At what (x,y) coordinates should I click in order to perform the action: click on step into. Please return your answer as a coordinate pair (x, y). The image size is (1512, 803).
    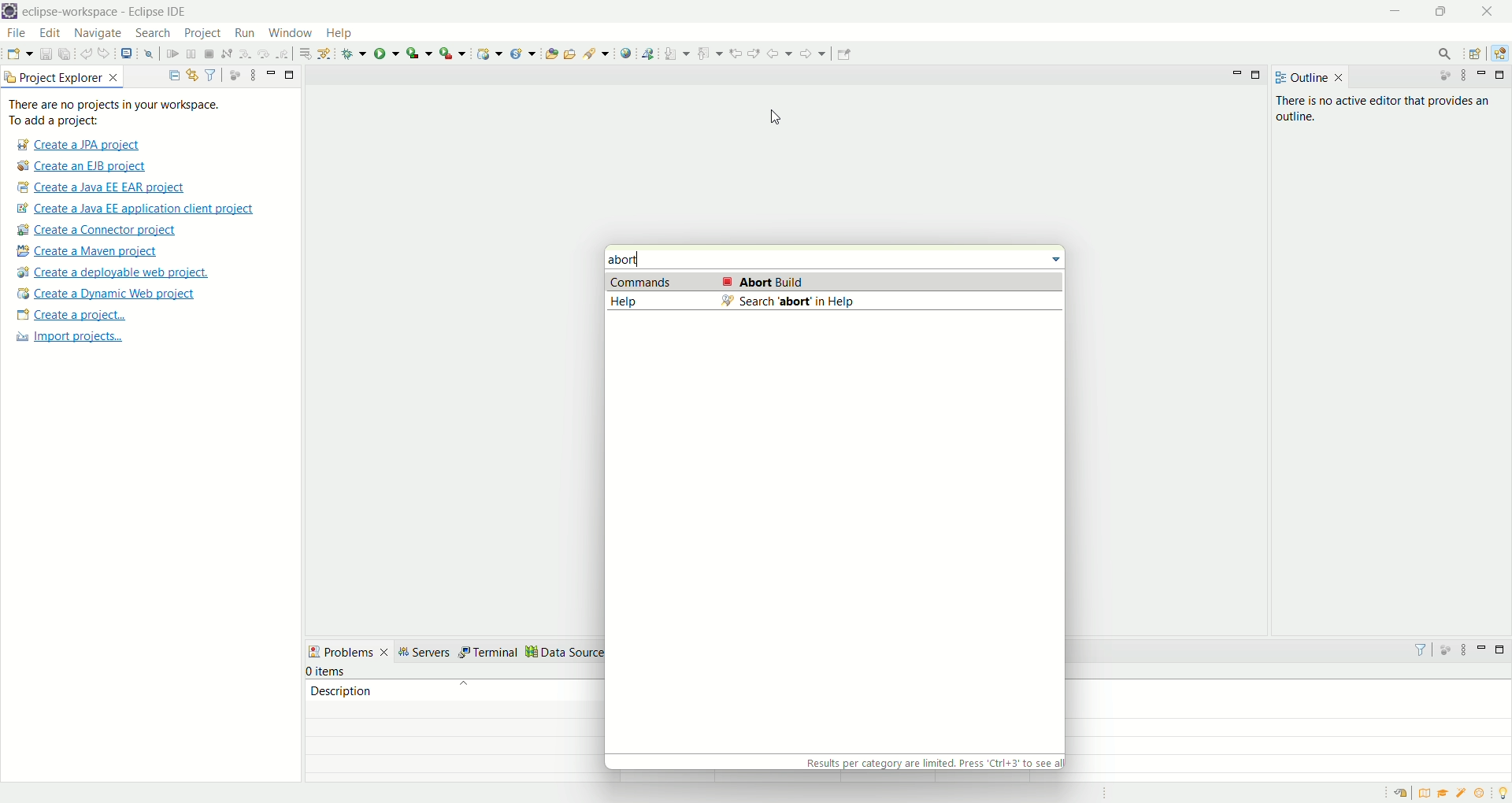
    Looking at the image, I should click on (243, 52).